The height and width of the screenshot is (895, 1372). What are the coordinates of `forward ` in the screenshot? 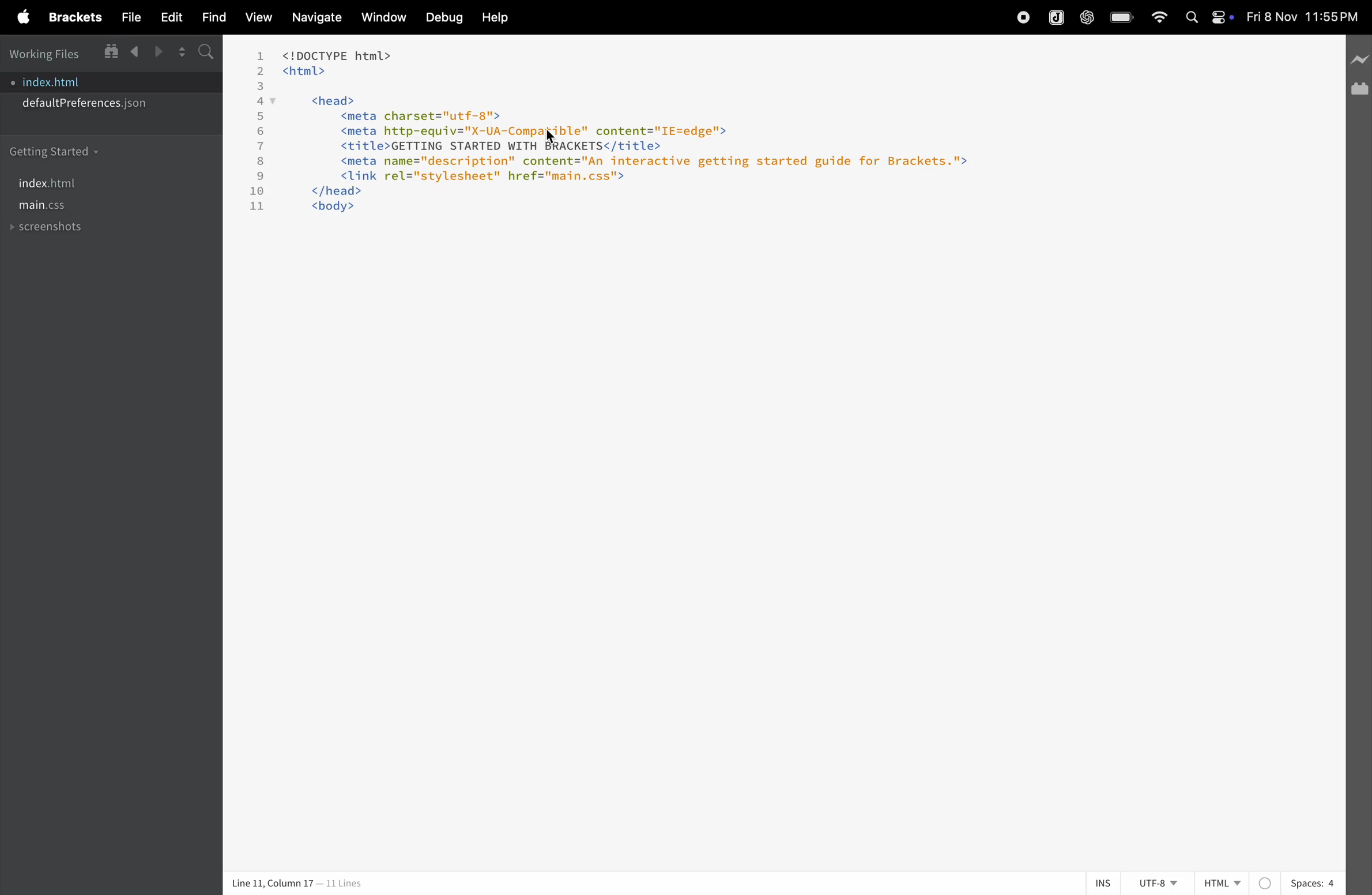 It's located at (154, 53).